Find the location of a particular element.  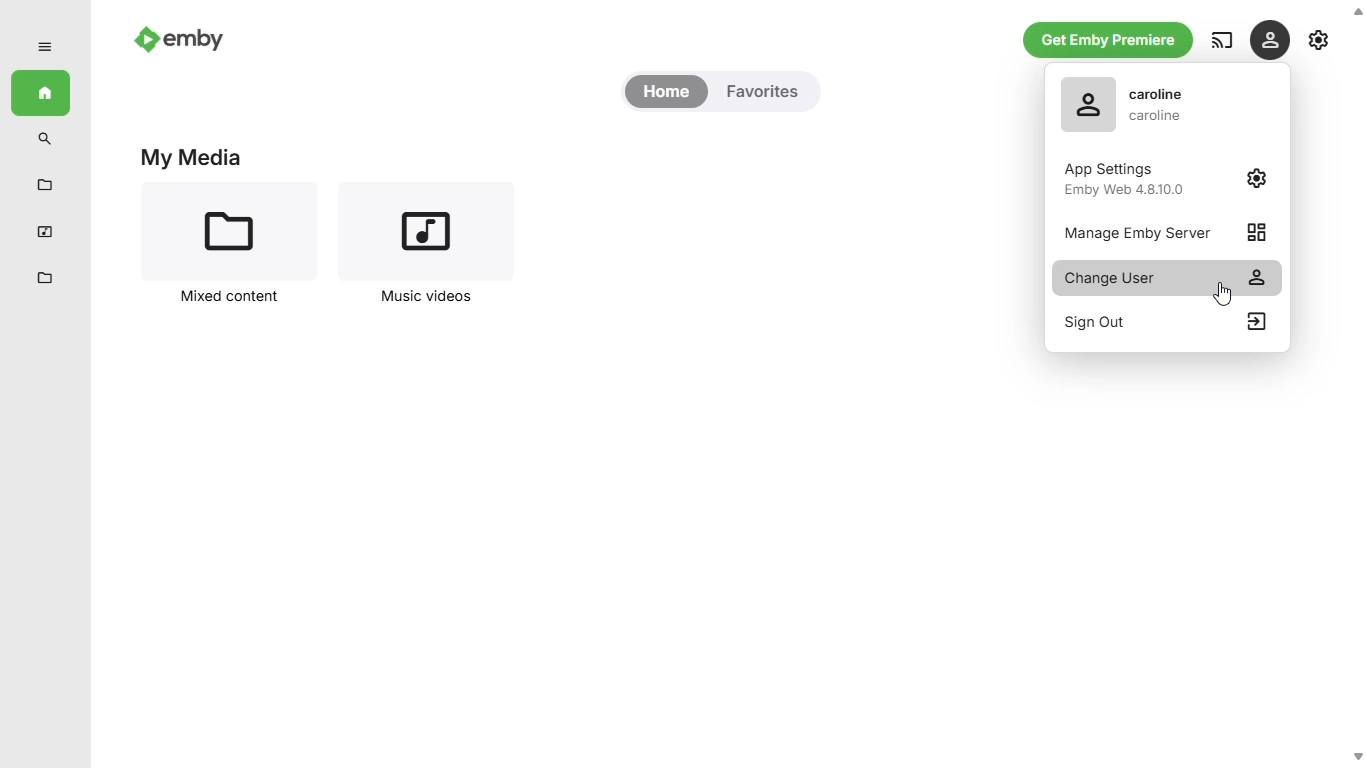

home is located at coordinates (40, 93).